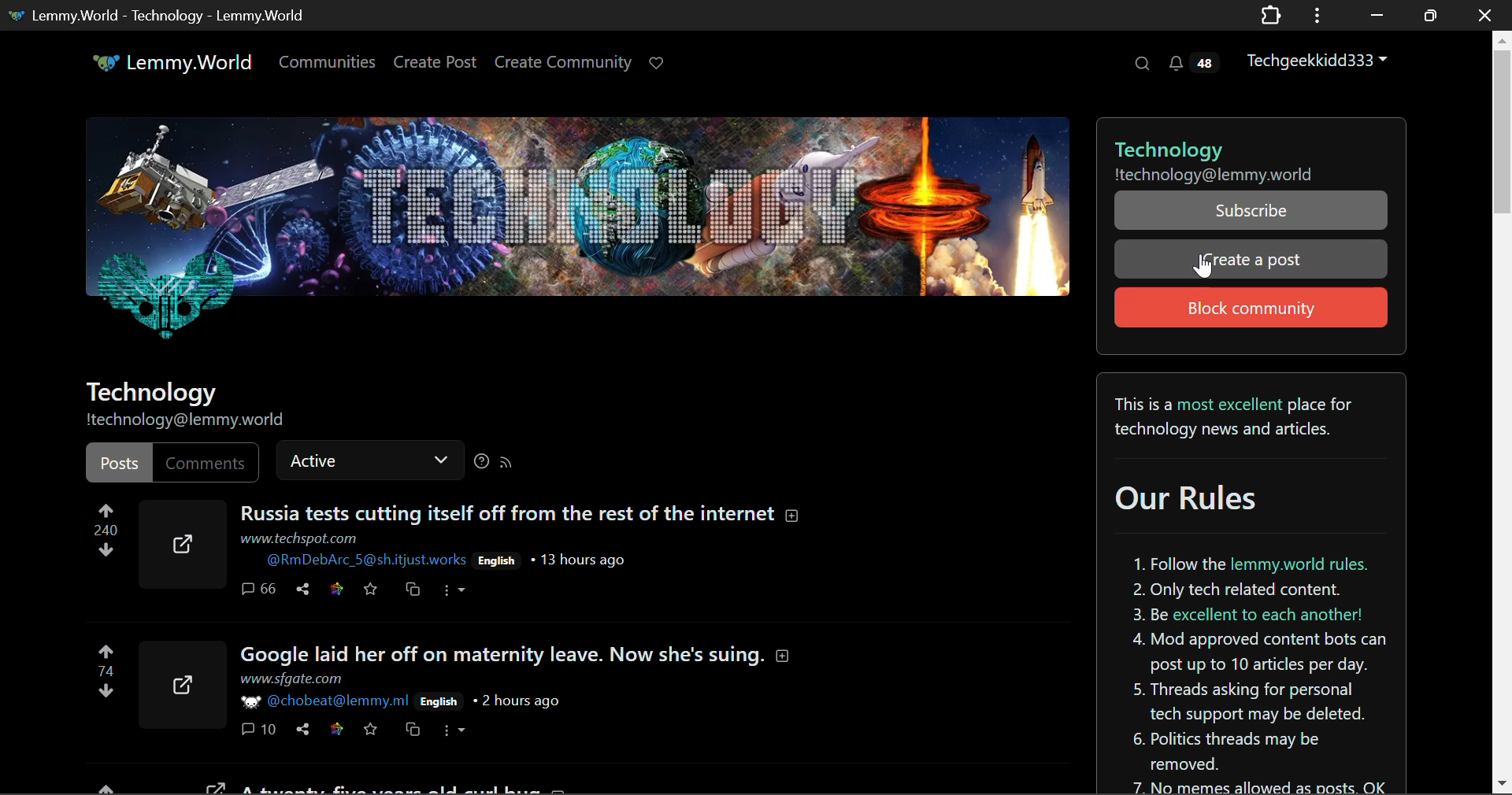  What do you see at coordinates (1317, 14) in the screenshot?
I see `Application Options Menu` at bounding box center [1317, 14].